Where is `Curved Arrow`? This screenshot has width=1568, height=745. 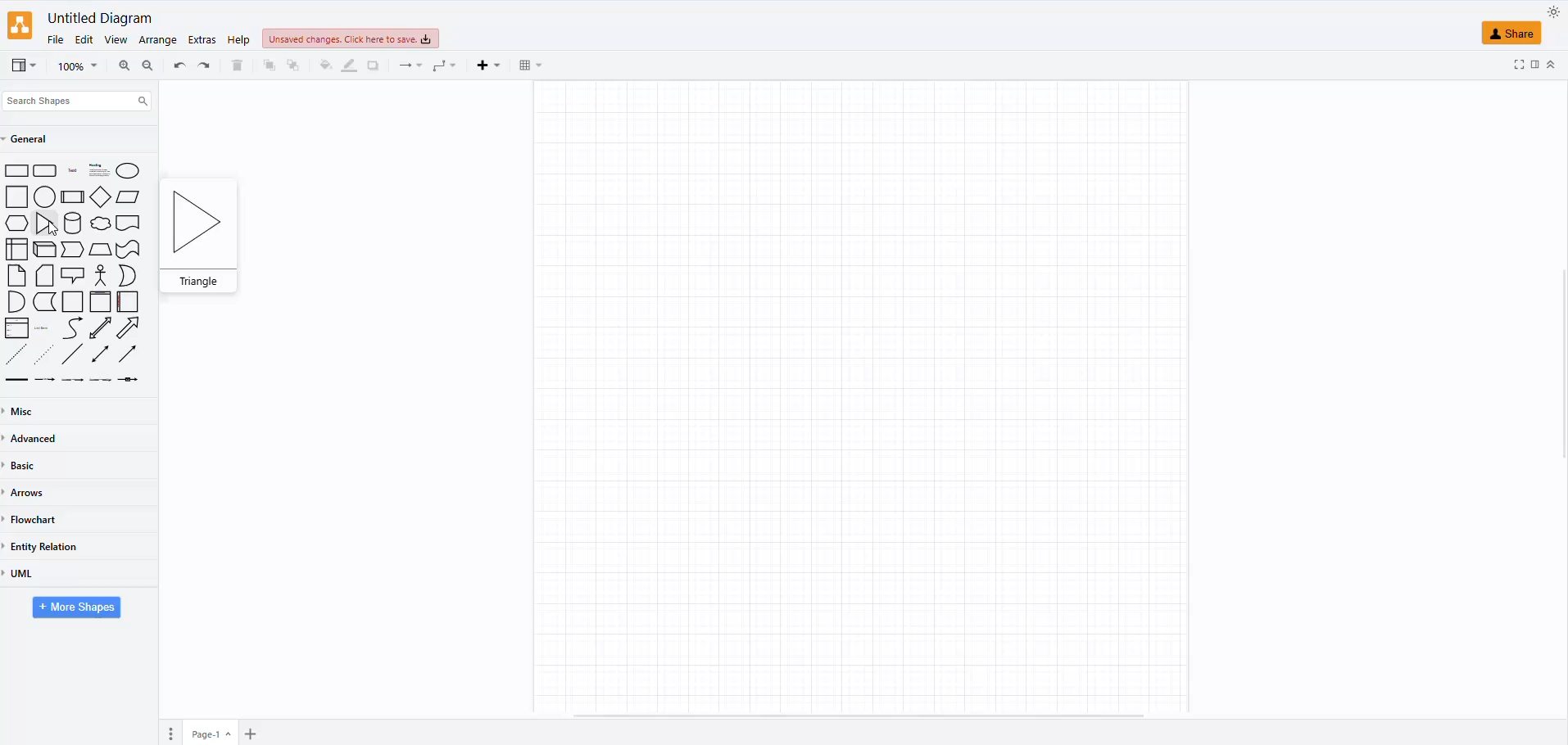
Curved Arrow is located at coordinates (72, 328).